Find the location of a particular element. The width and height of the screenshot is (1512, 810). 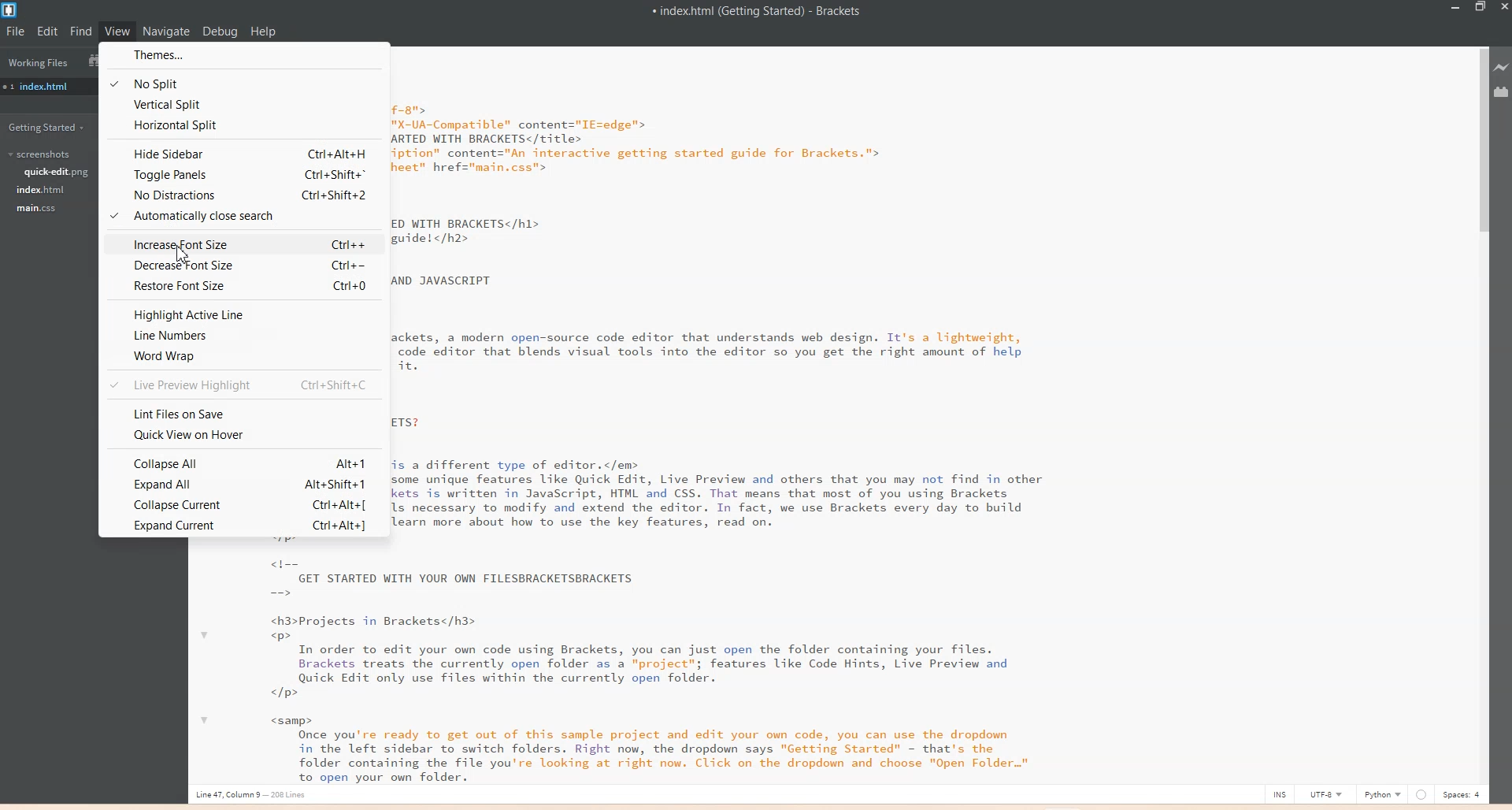

Help is located at coordinates (264, 32).